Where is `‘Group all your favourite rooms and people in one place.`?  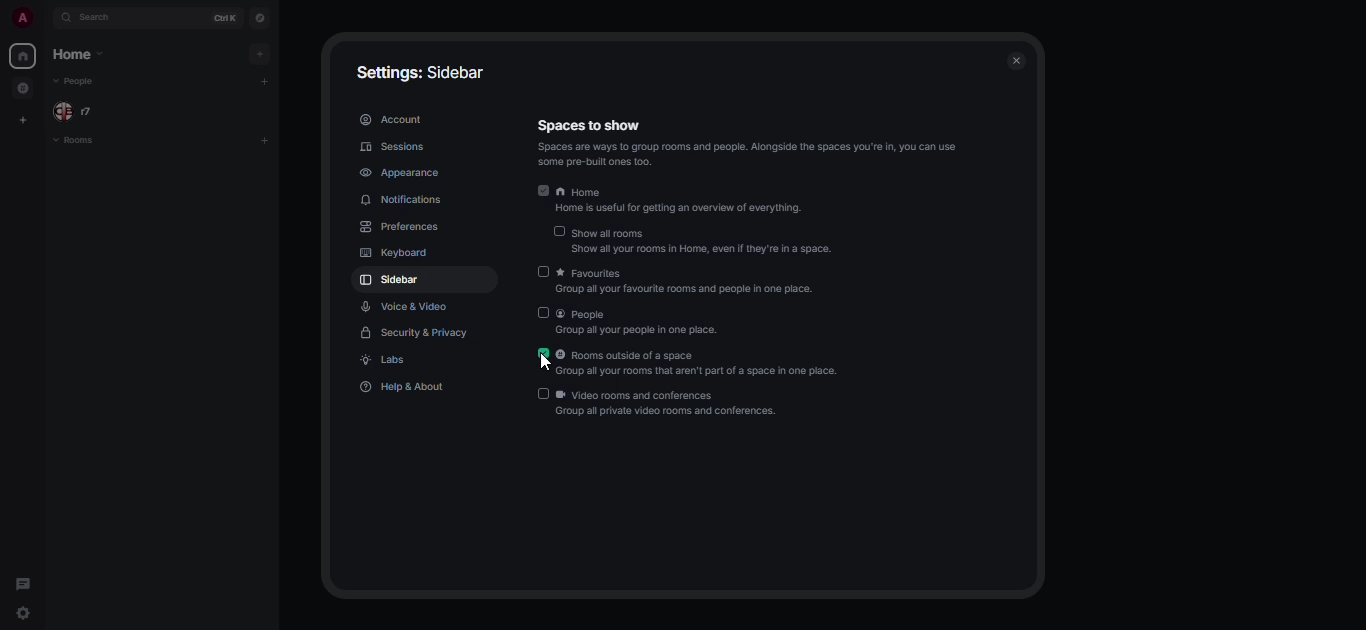 ‘Group all your favourite rooms and people in one place. is located at coordinates (716, 291).